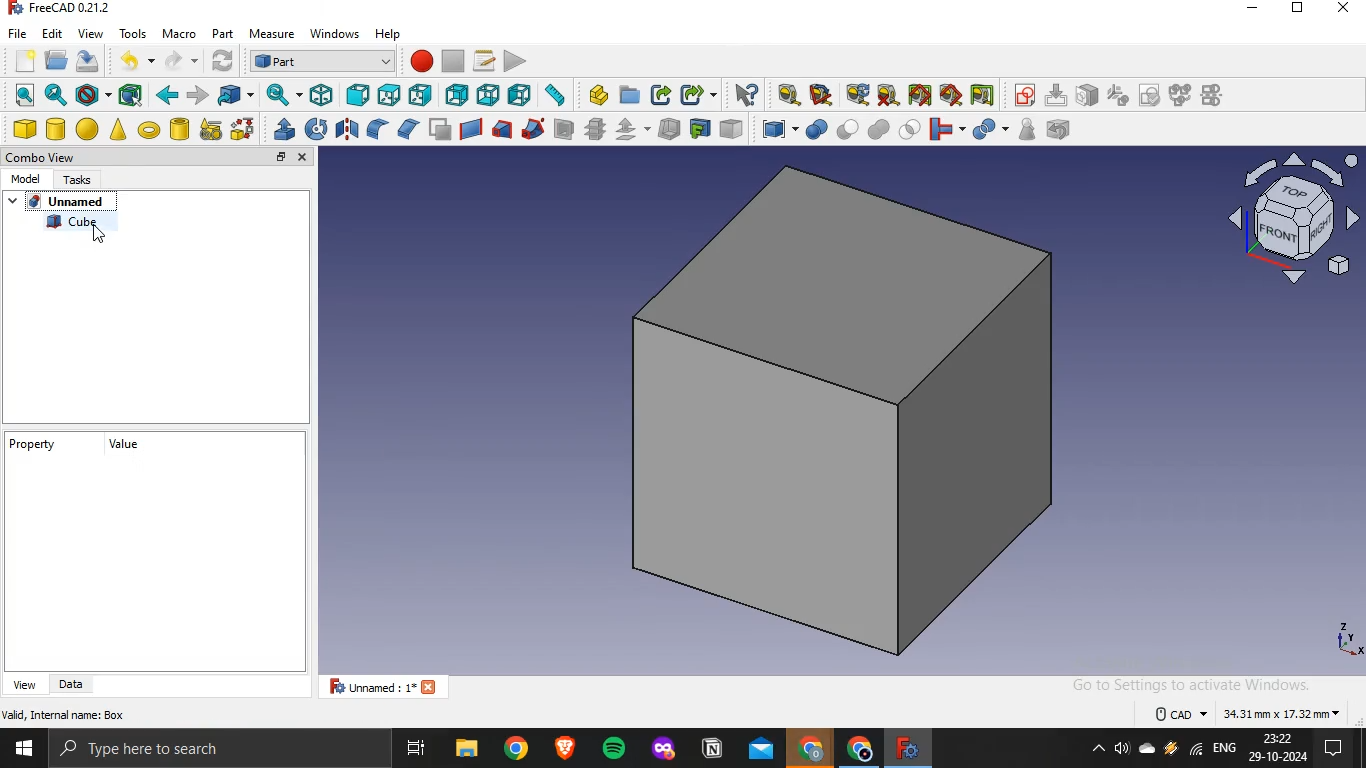 This screenshot has height=768, width=1366. Describe the element at coordinates (951, 95) in the screenshot. I see `toggle 3d` at that location.